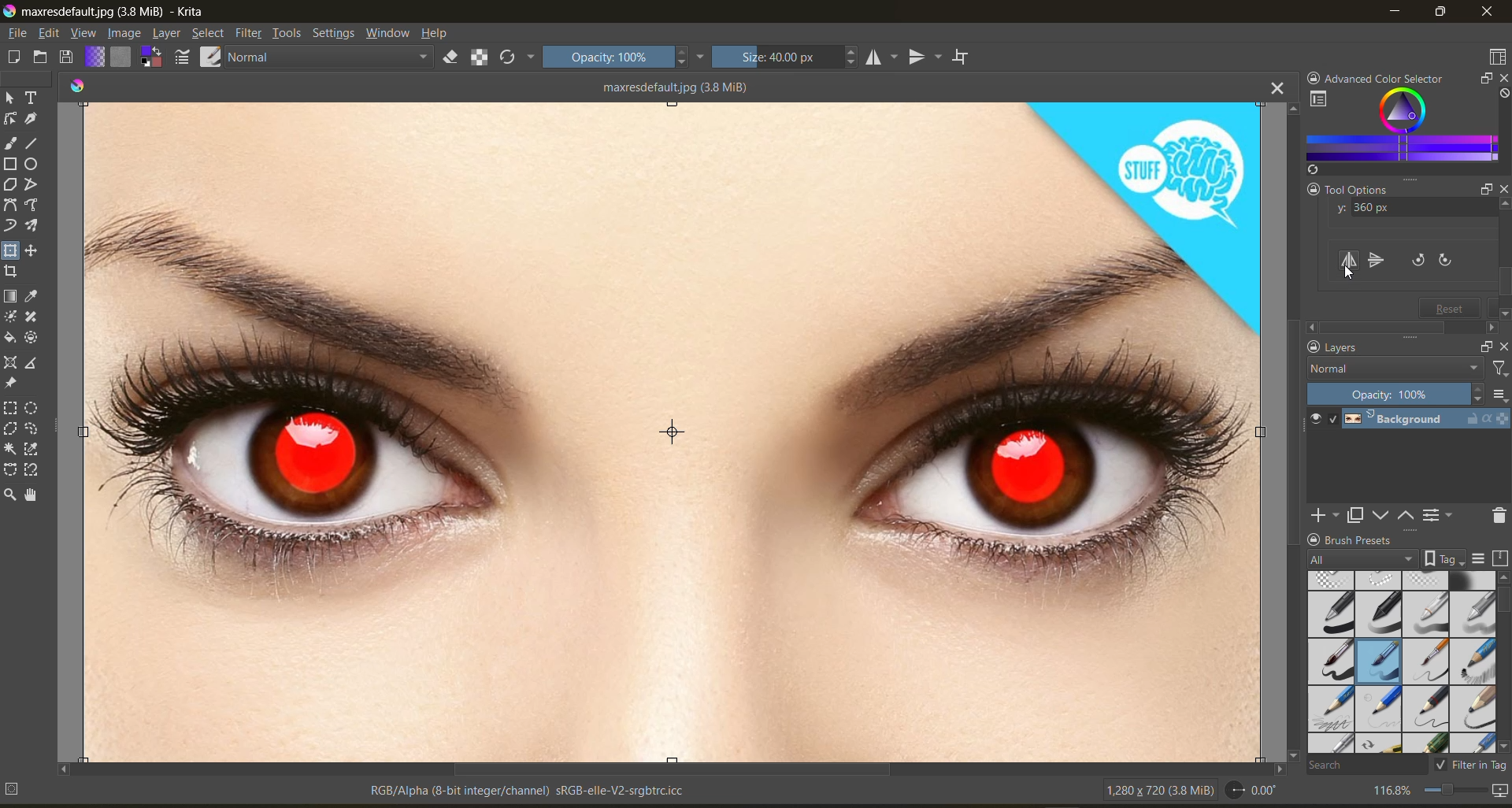 The image size is (1512, 808). Describe the element at coordinates (1323, 516) in the screenshot. I see `add` at that location.